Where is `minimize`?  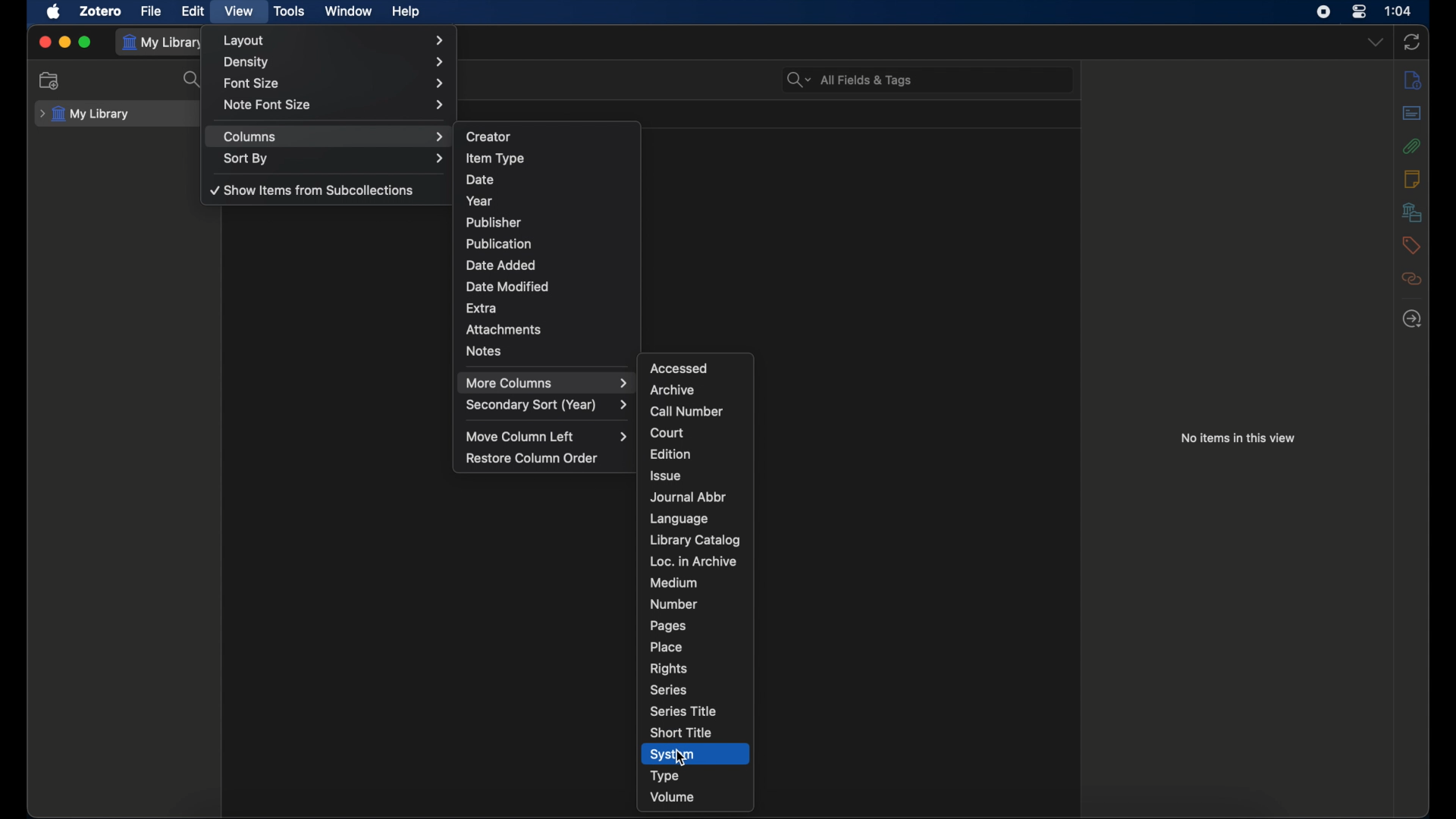 minimize is located at coordinates (64, 42).